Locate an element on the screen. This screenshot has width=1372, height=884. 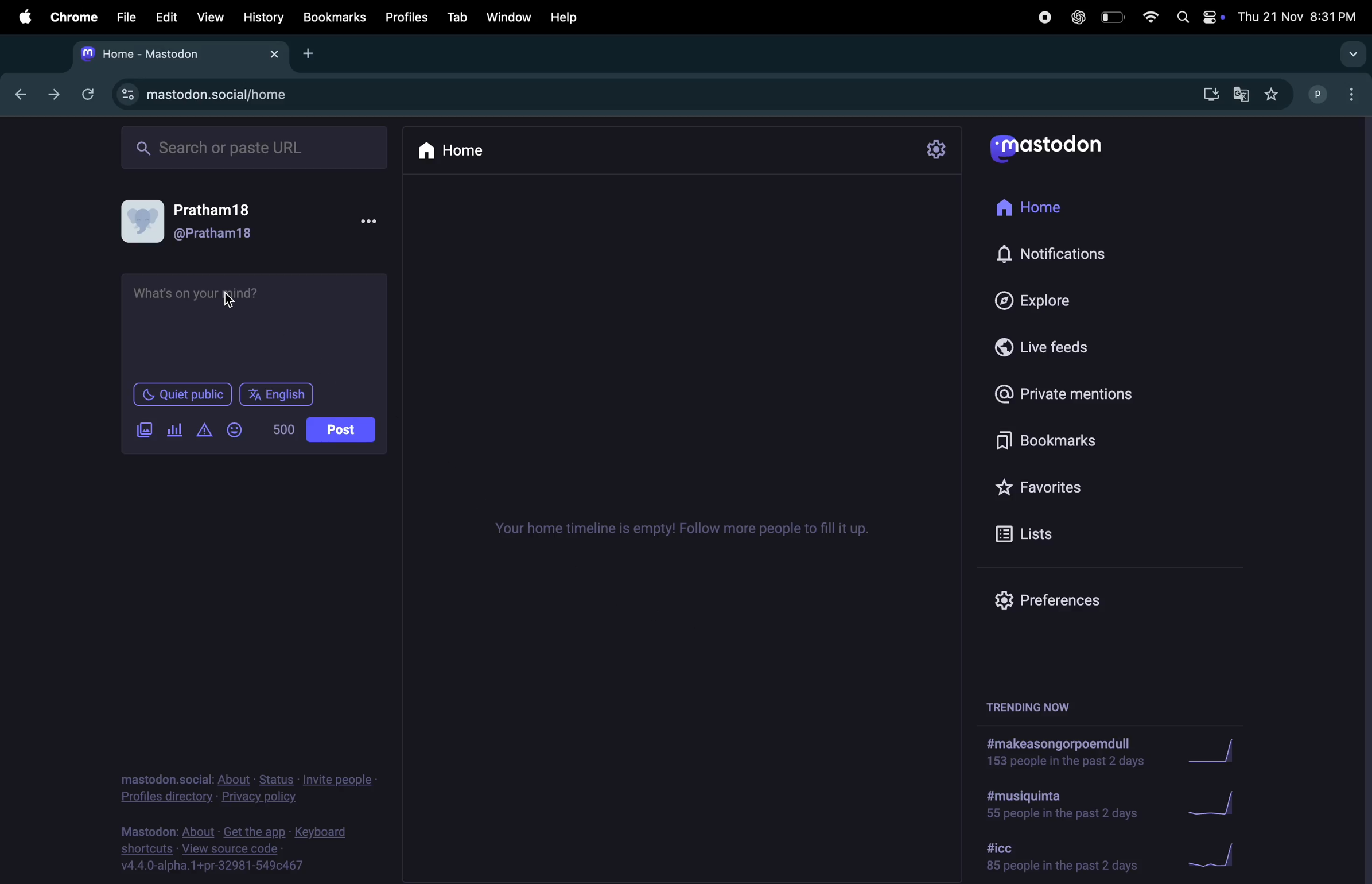
add content warning is located at coordinates (204, 429).